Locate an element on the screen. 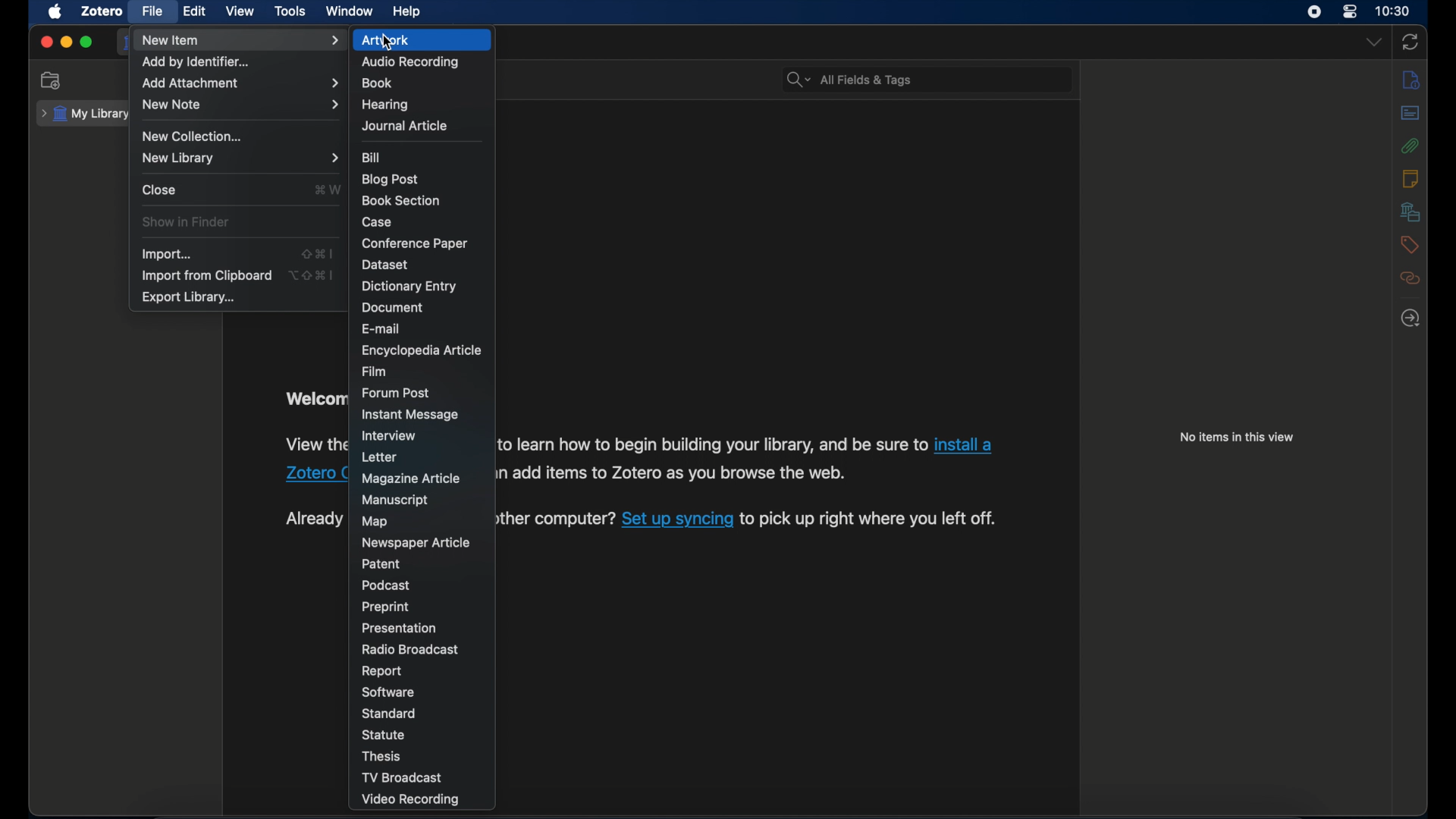 The height and width of the screenshot is (819, 1456). dropdown is located at coordinates (1374, 42).